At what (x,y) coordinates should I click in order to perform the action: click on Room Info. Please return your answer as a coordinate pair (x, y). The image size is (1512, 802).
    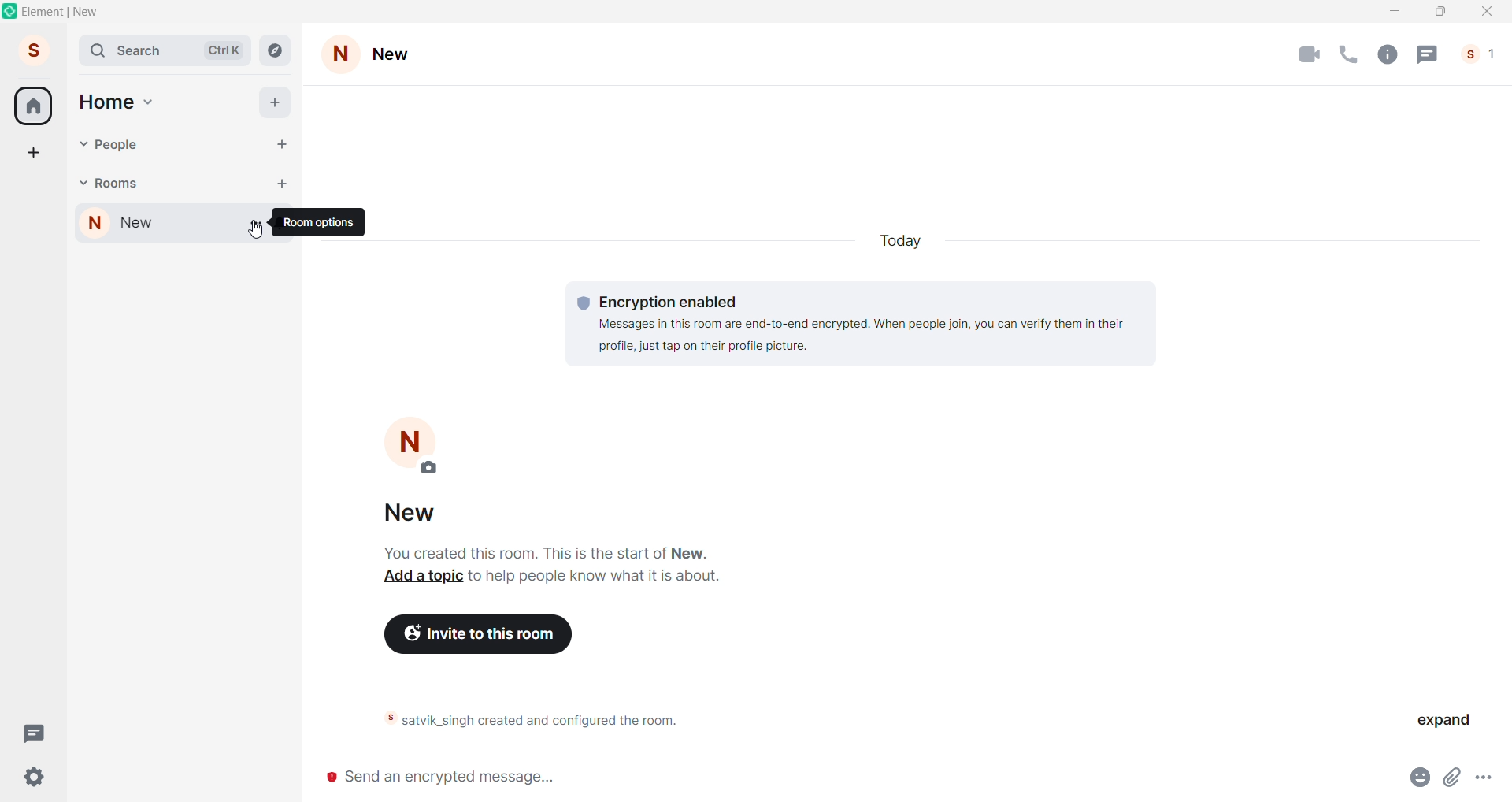
    Looking at the image, I should click on (1392, 54).